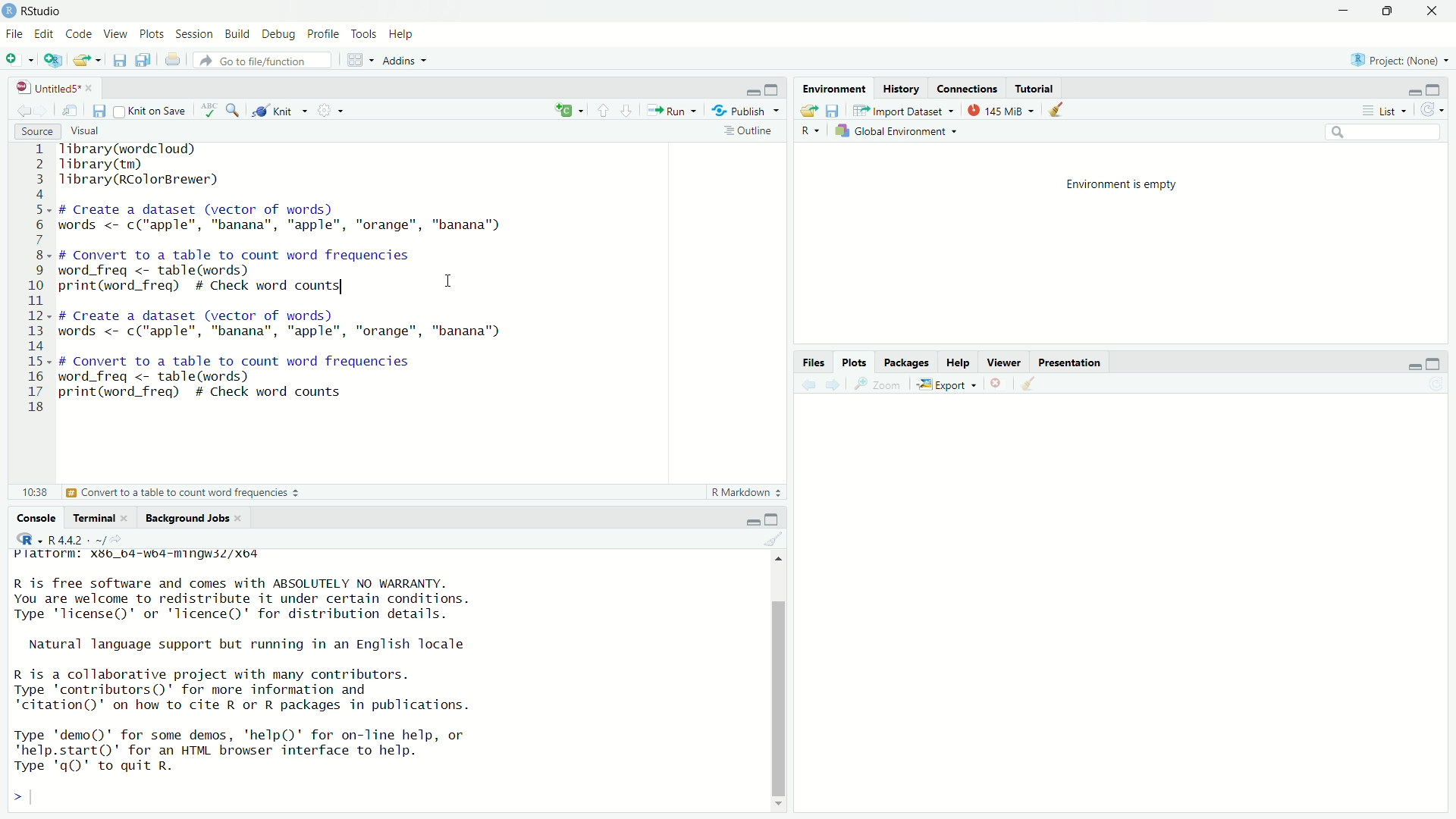  What do you see at coordinates (855, 362) in the screenshot?
I see `Plots` at bounding box center [855, 362].